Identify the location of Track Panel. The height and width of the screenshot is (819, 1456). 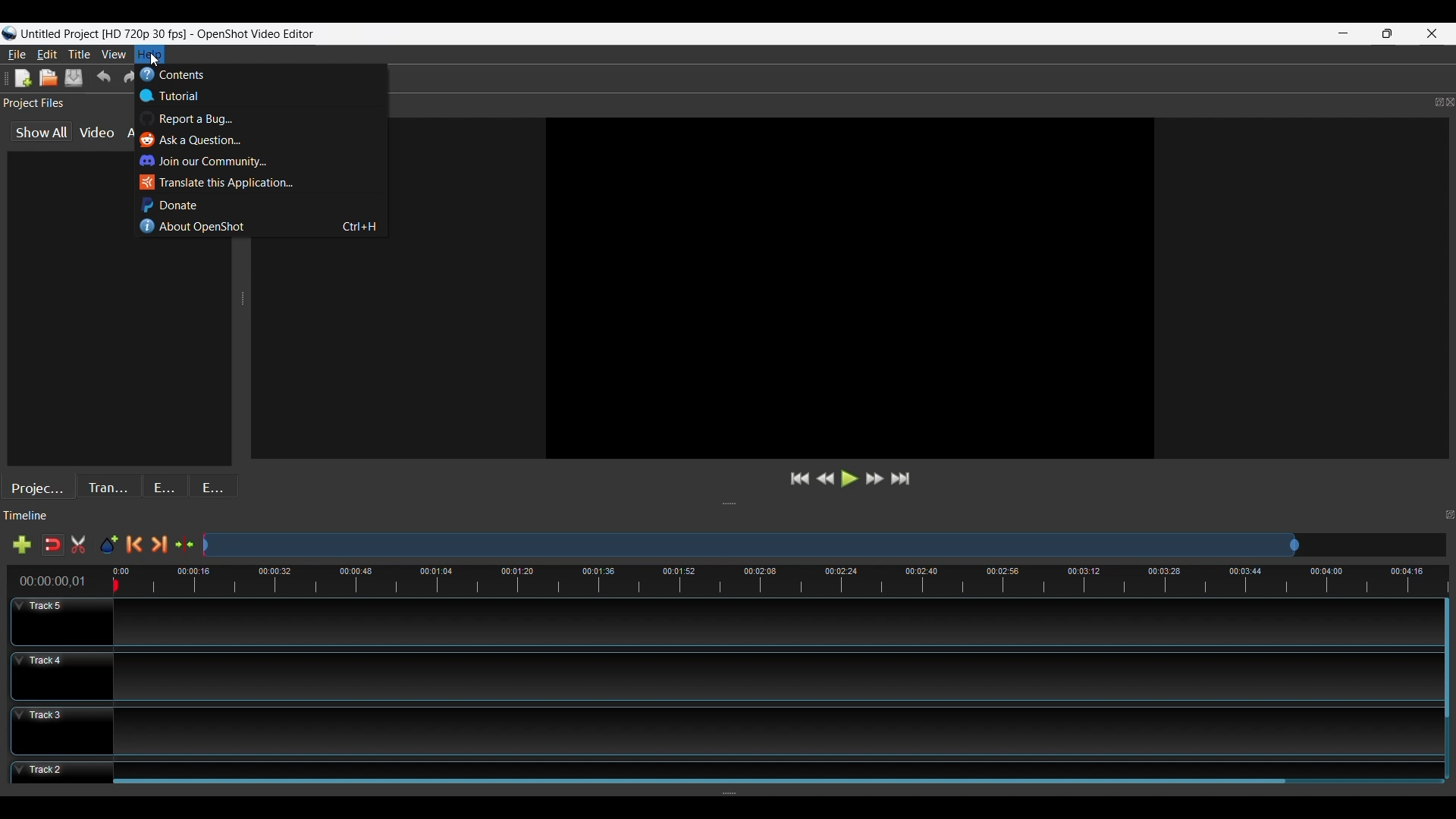
(776, 731).